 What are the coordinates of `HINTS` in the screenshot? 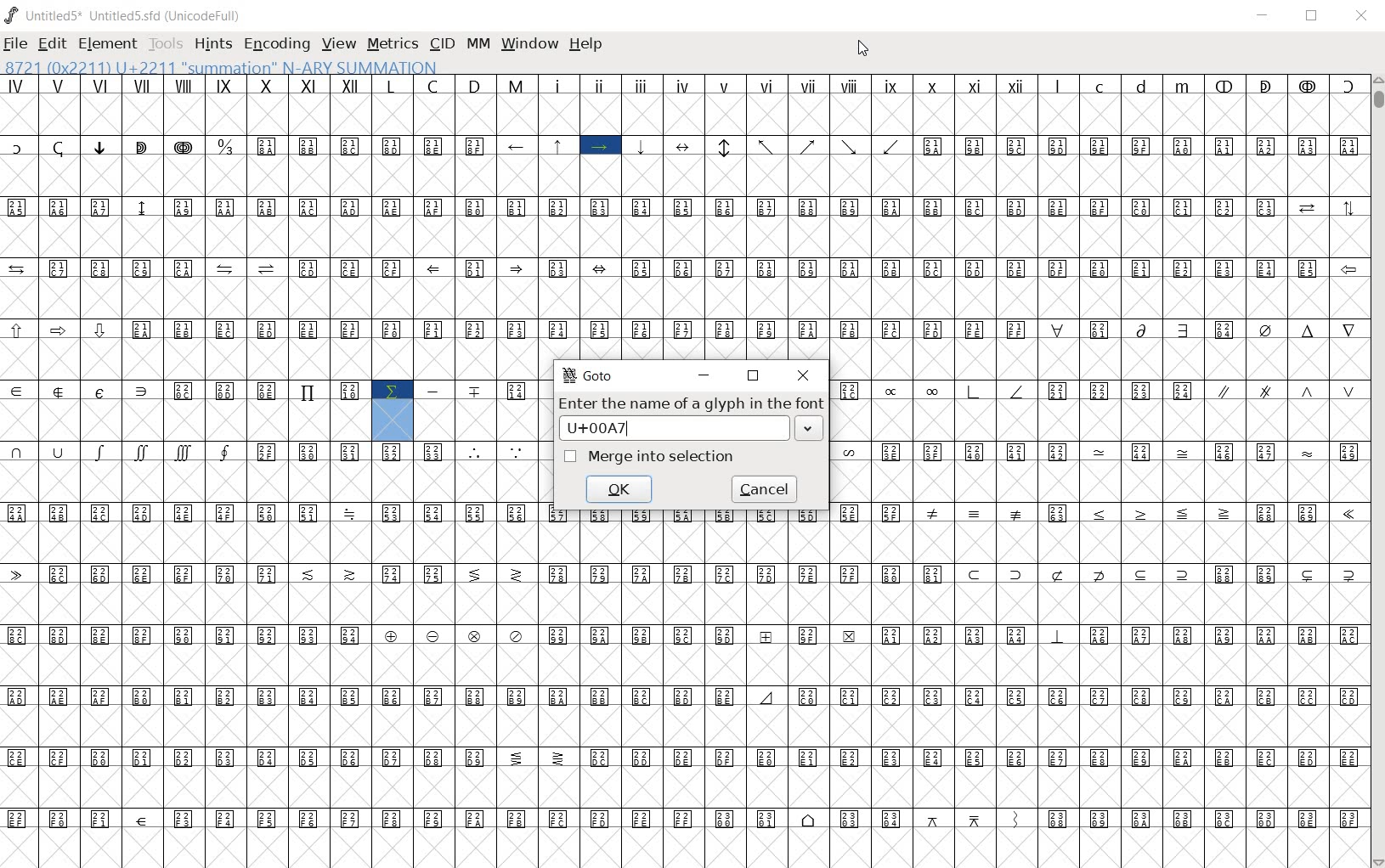 It's located at (212, 45).